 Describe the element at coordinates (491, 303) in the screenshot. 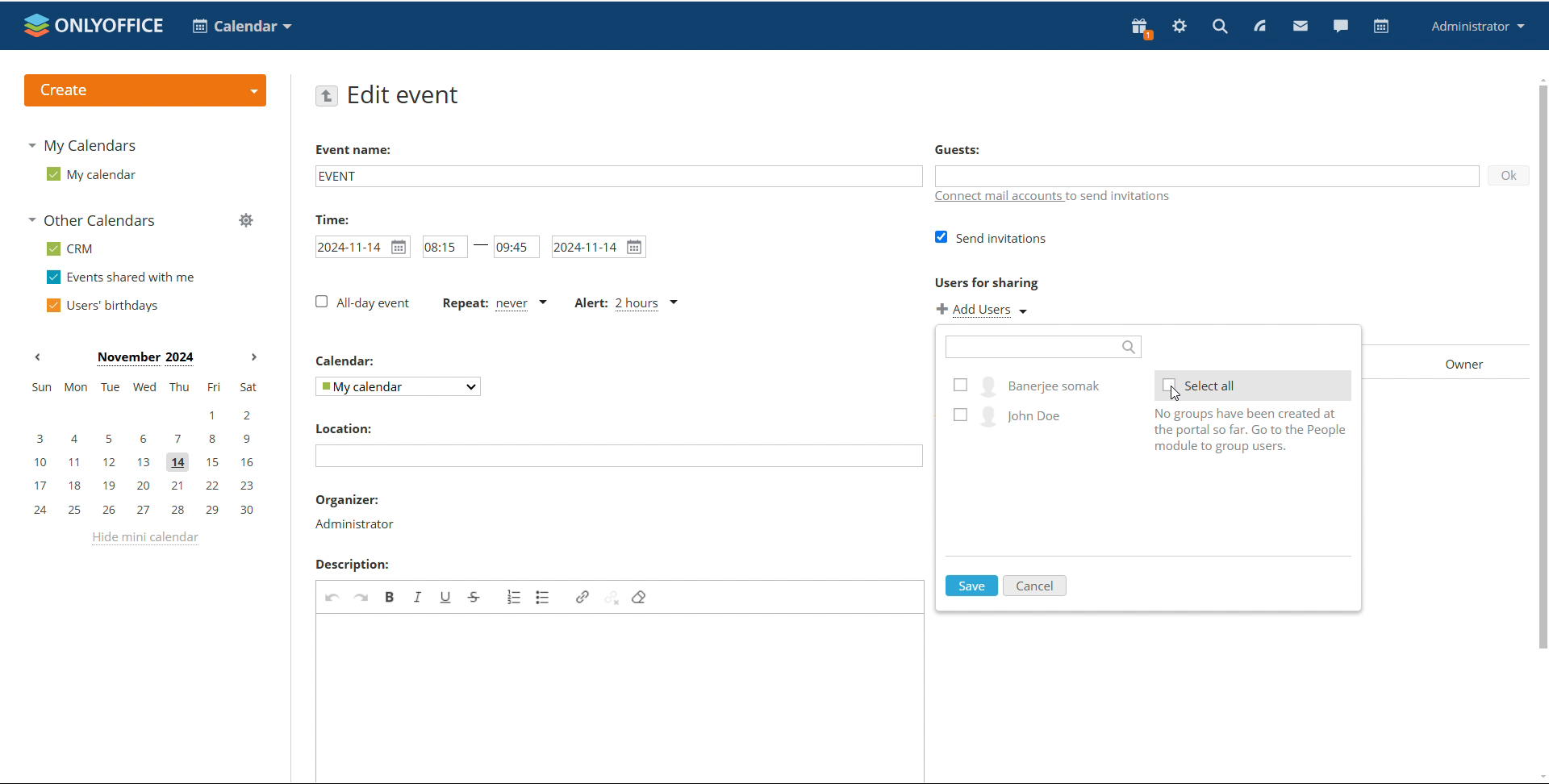

I see `event repetition` at that location.